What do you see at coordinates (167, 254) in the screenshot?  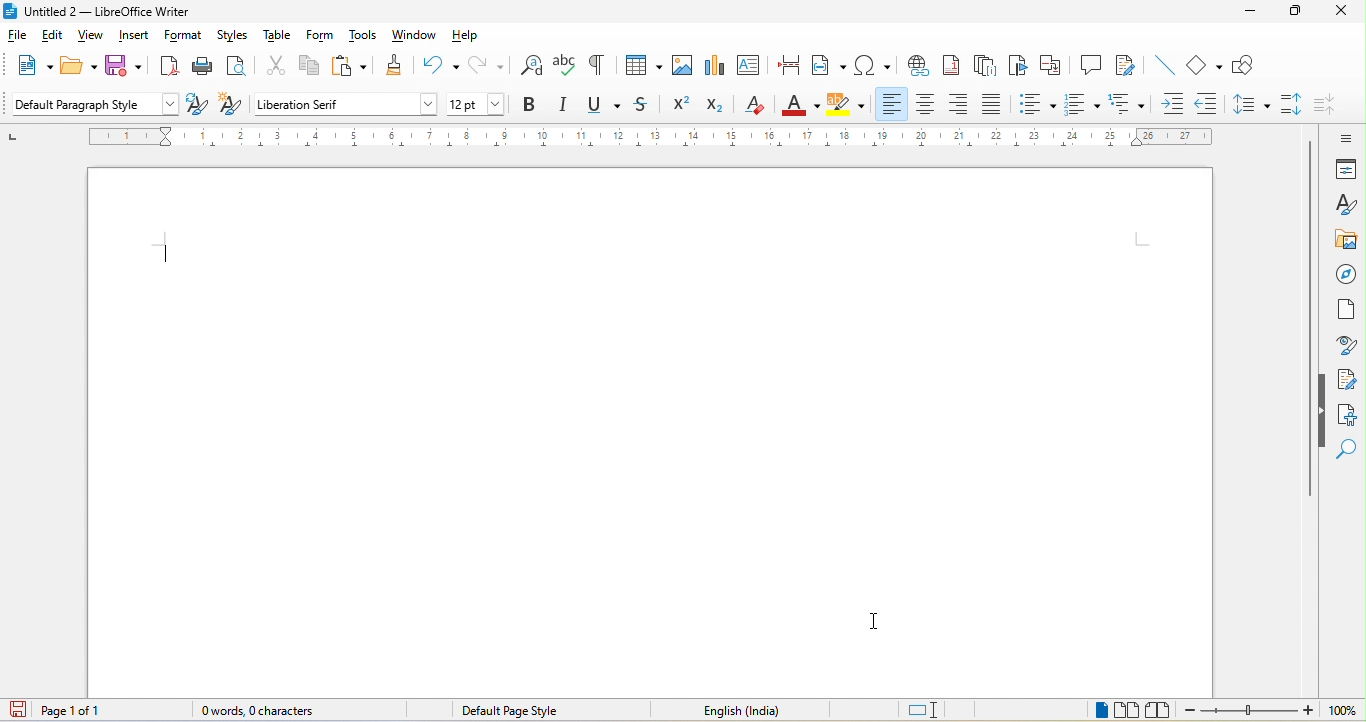 I see `cursor` at bounding box center [167, 254].